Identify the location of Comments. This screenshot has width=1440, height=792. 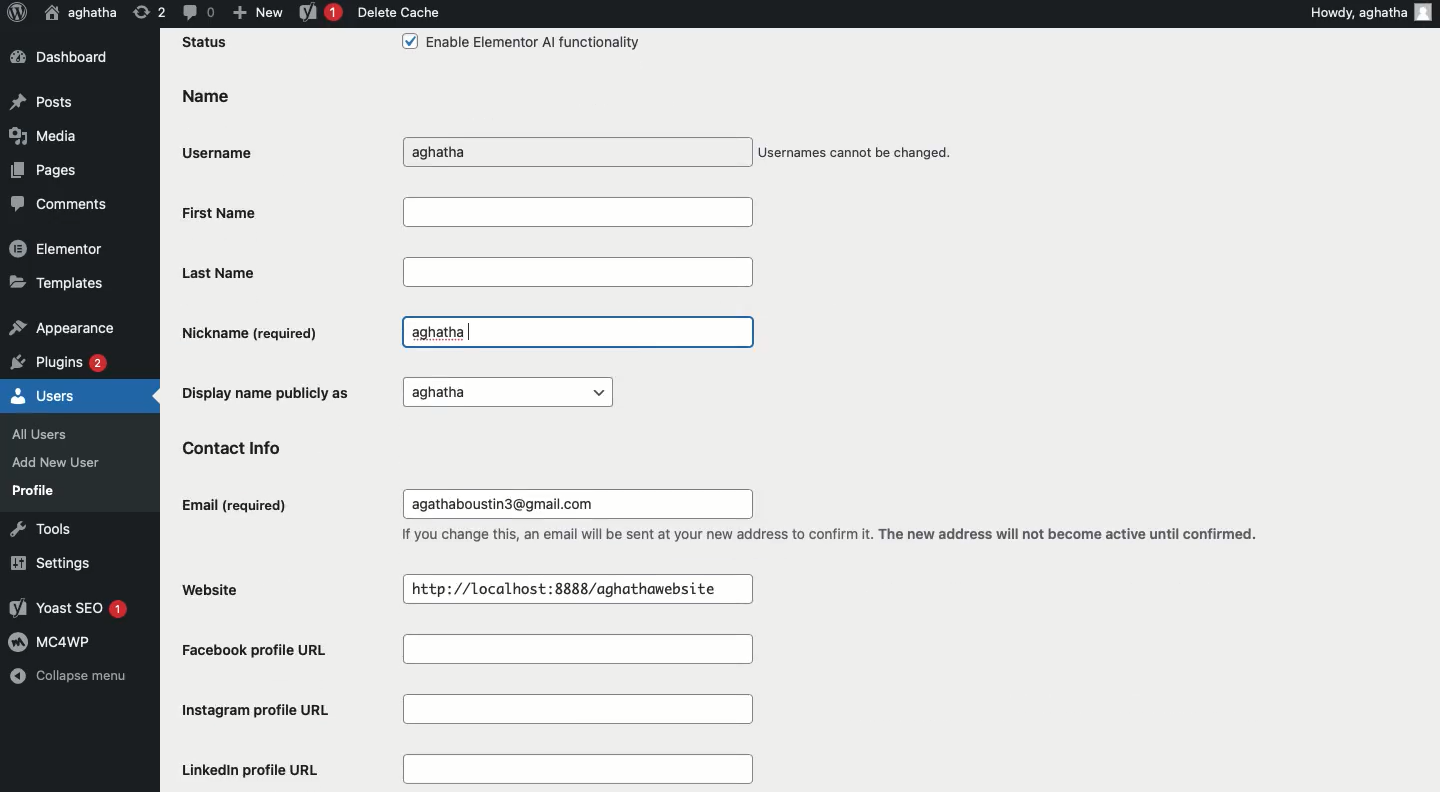
(60, 205).